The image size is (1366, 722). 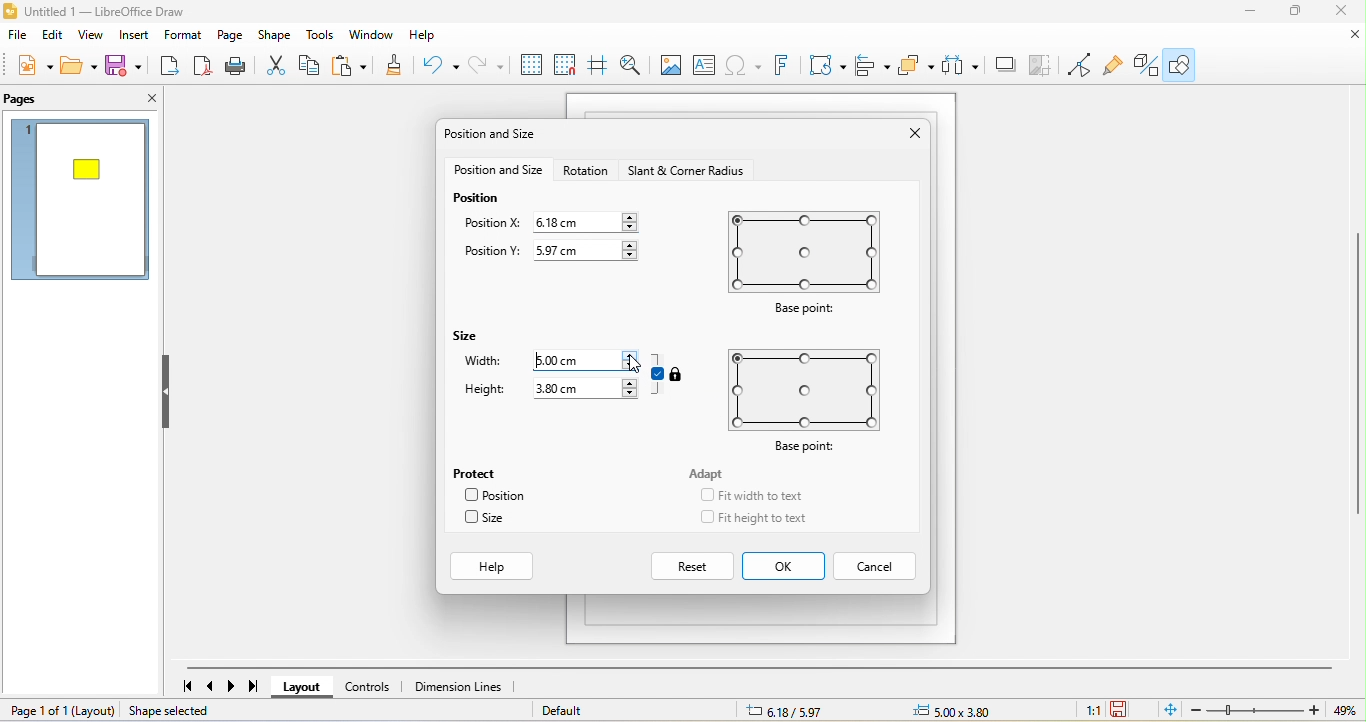 What do you see at coordinates (275, 65) in the screenshot?
I see `cut` at bounding box center [275, 65].